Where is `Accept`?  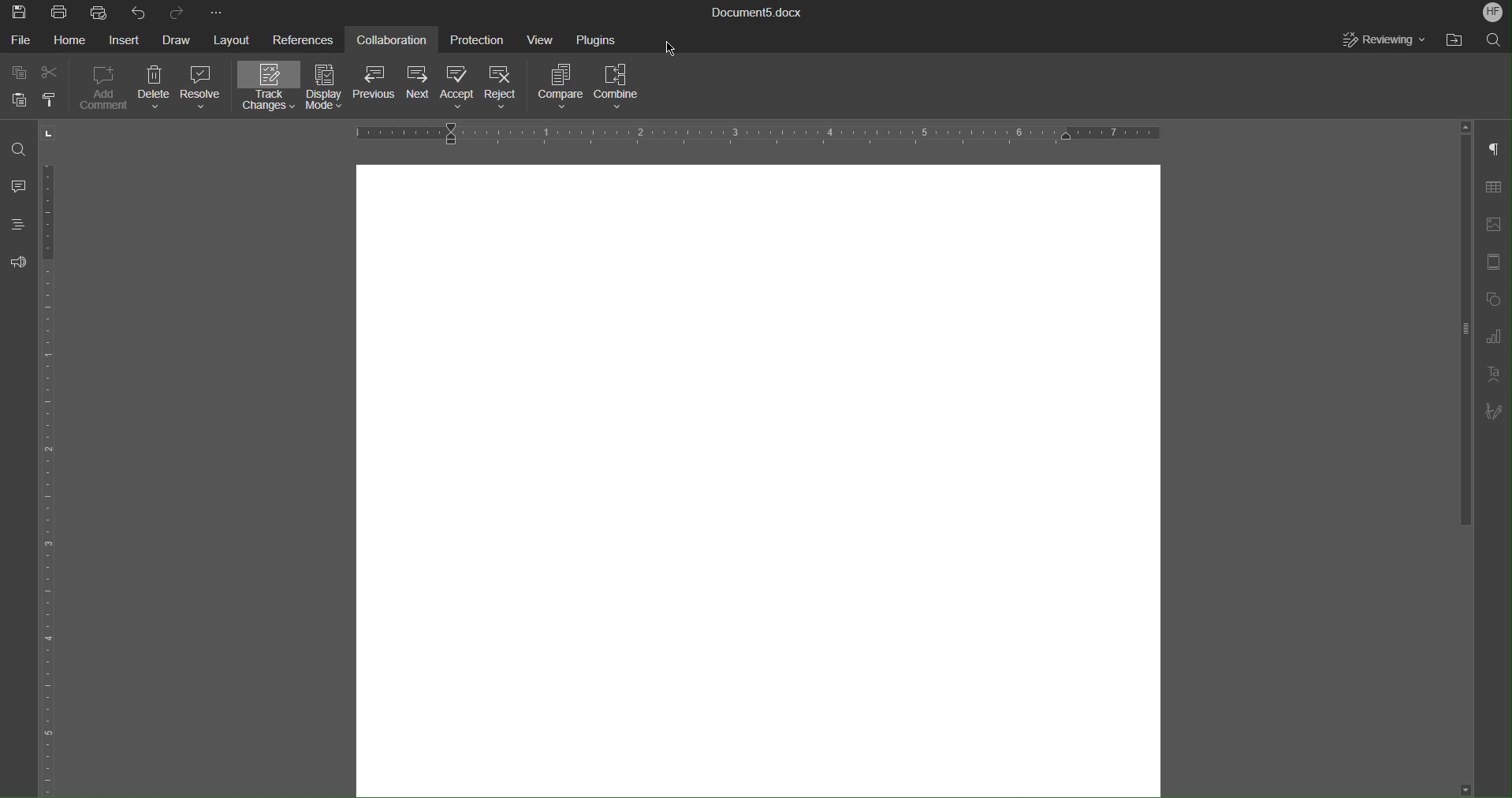 Accept is located at coordinates (464, 88).